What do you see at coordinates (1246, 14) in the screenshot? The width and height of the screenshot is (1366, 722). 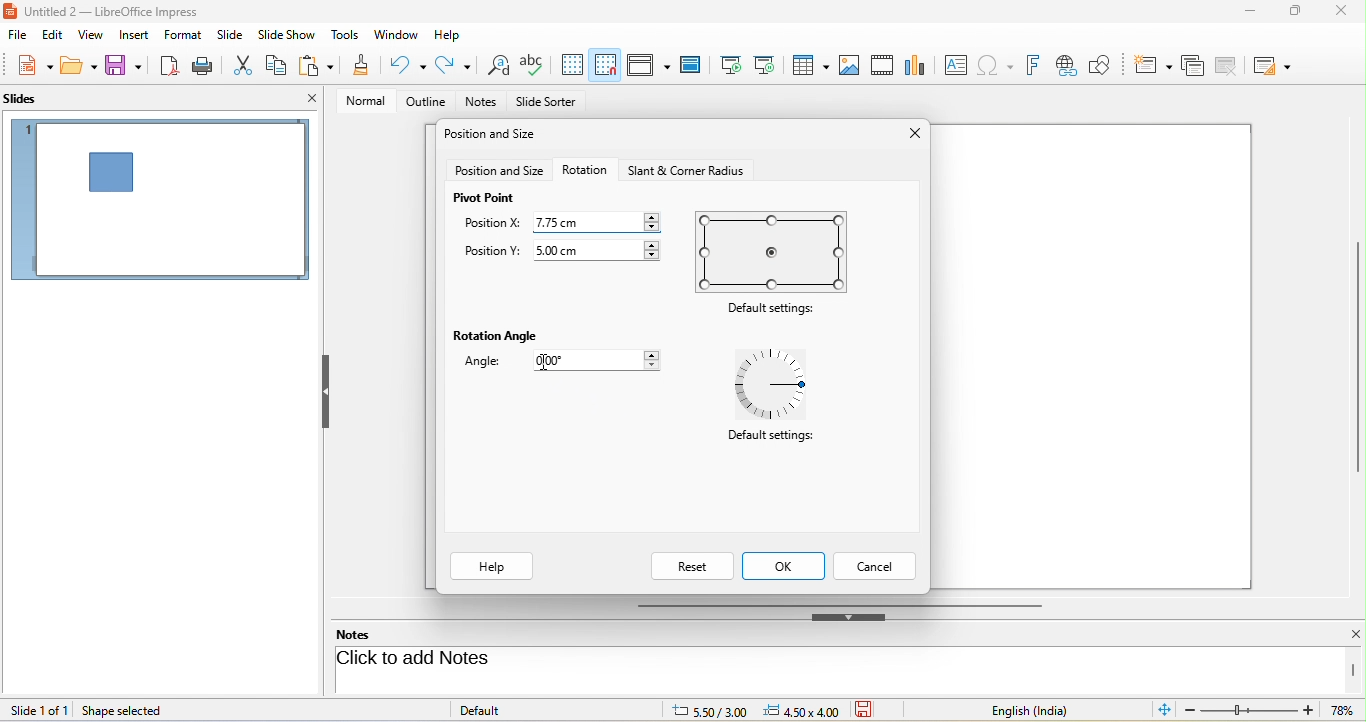 I see `minimize` at bounding box center [1246, 14].